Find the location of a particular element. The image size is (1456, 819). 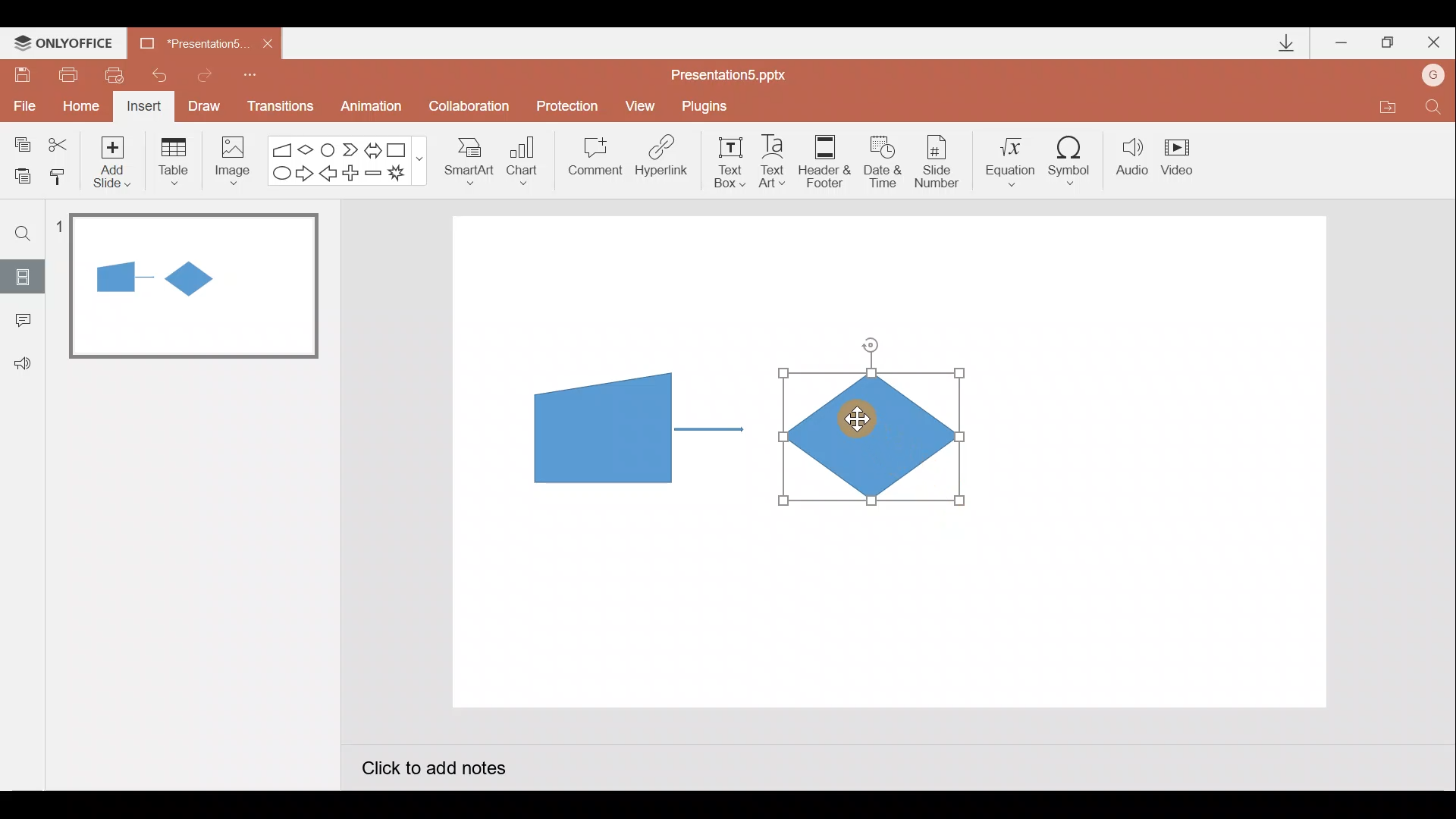

Minimize is located at coordinates (1343, 44).